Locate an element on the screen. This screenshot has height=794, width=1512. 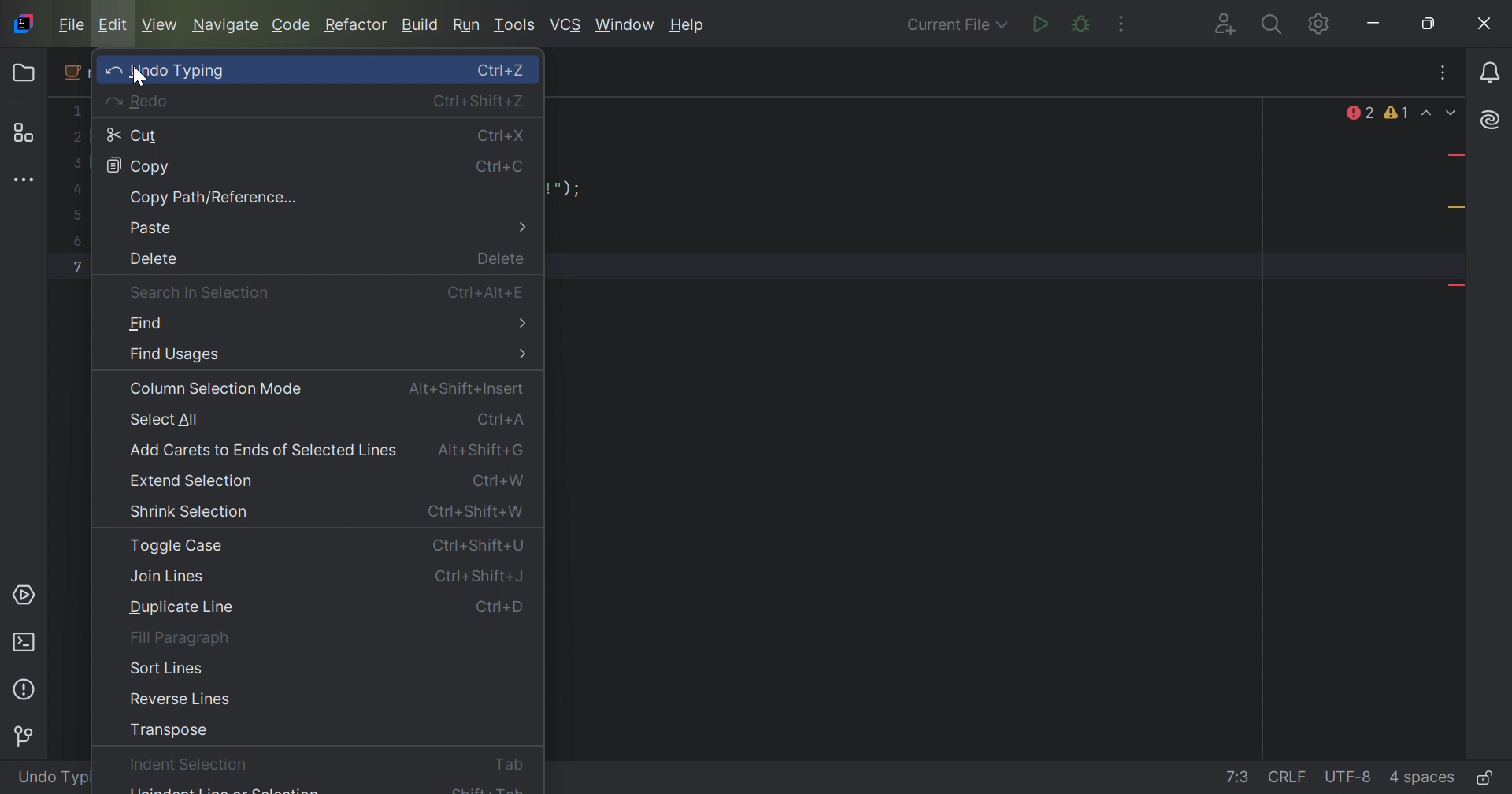
Windows is located at coordinates (567, 26).